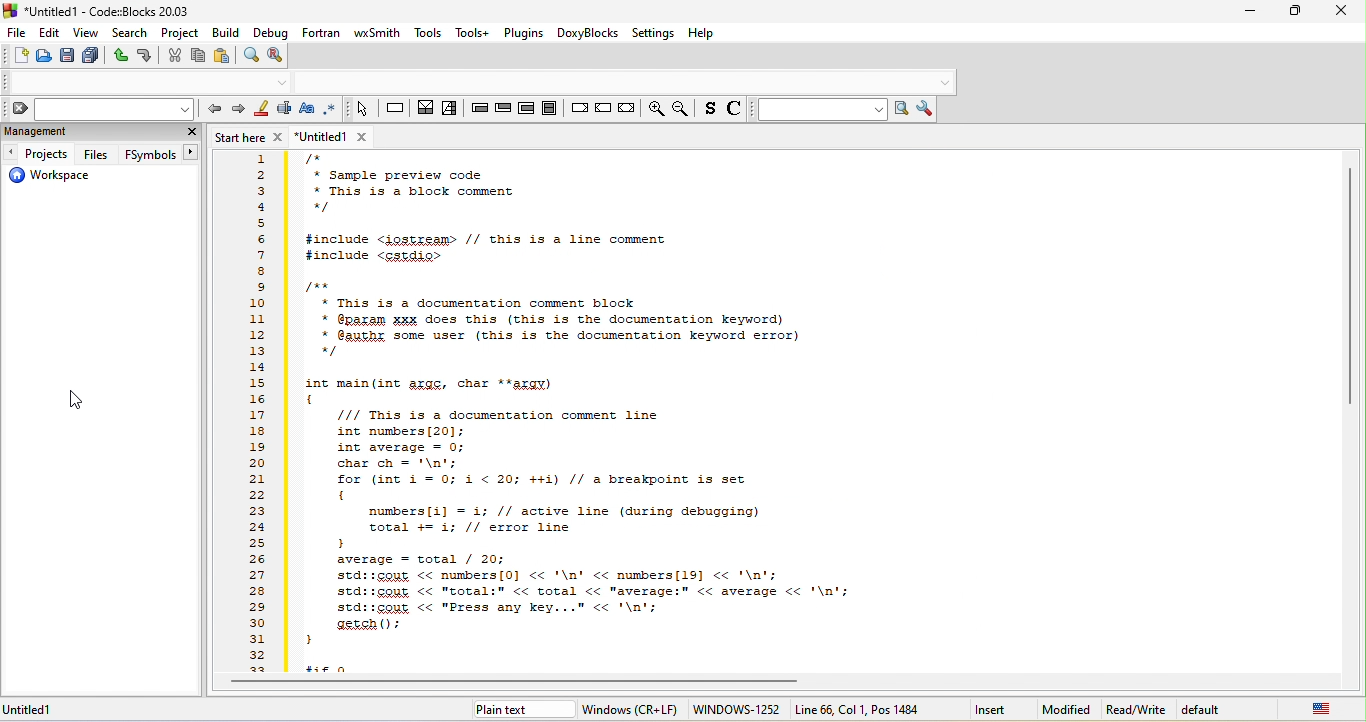 This screenshot has height=722, width=1366. Describe the element at coordinates (66, 57) in the screenshot. I see `save` at that location.